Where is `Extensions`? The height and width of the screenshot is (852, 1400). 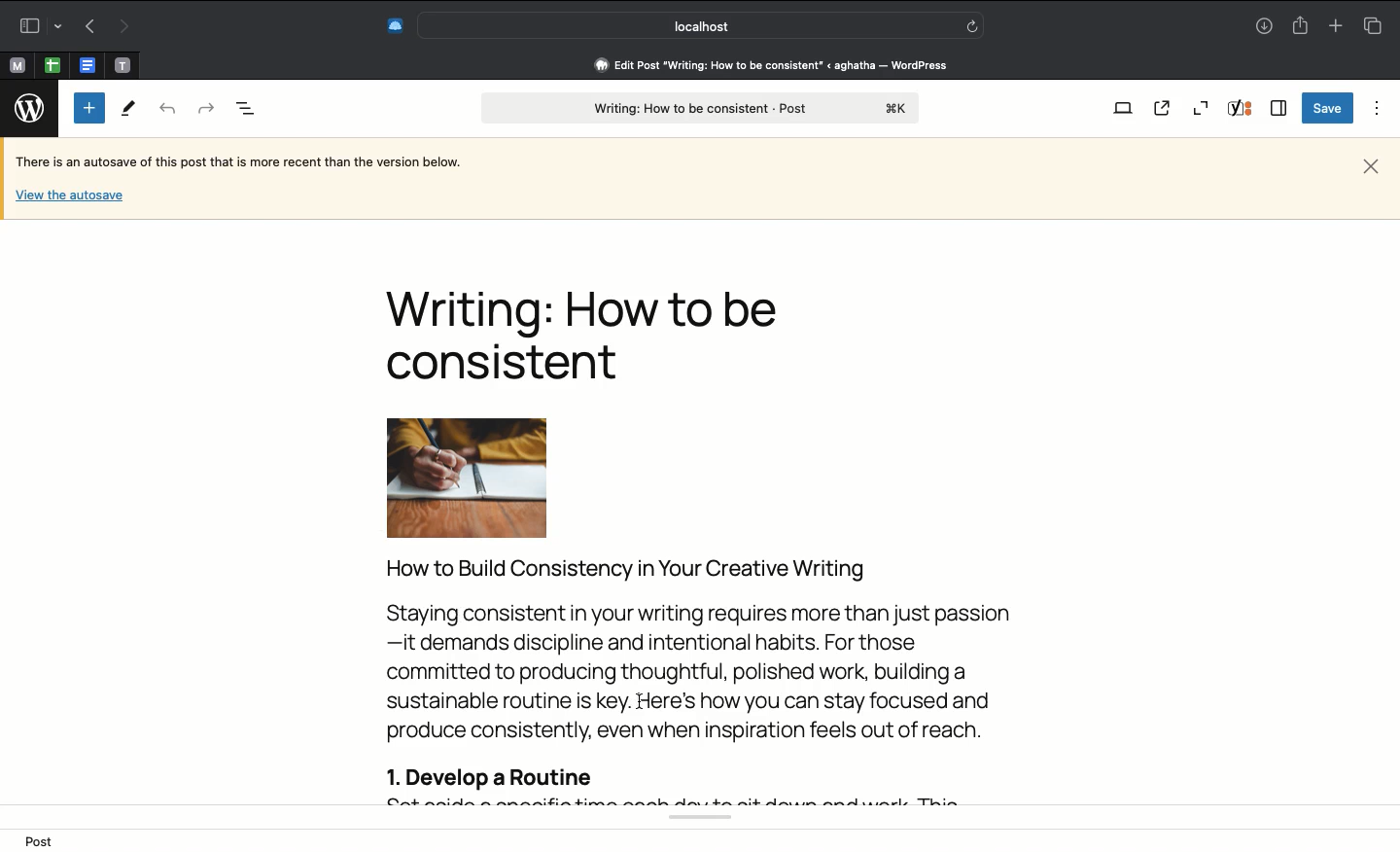 Extensions is located at coordinates (394, 23).